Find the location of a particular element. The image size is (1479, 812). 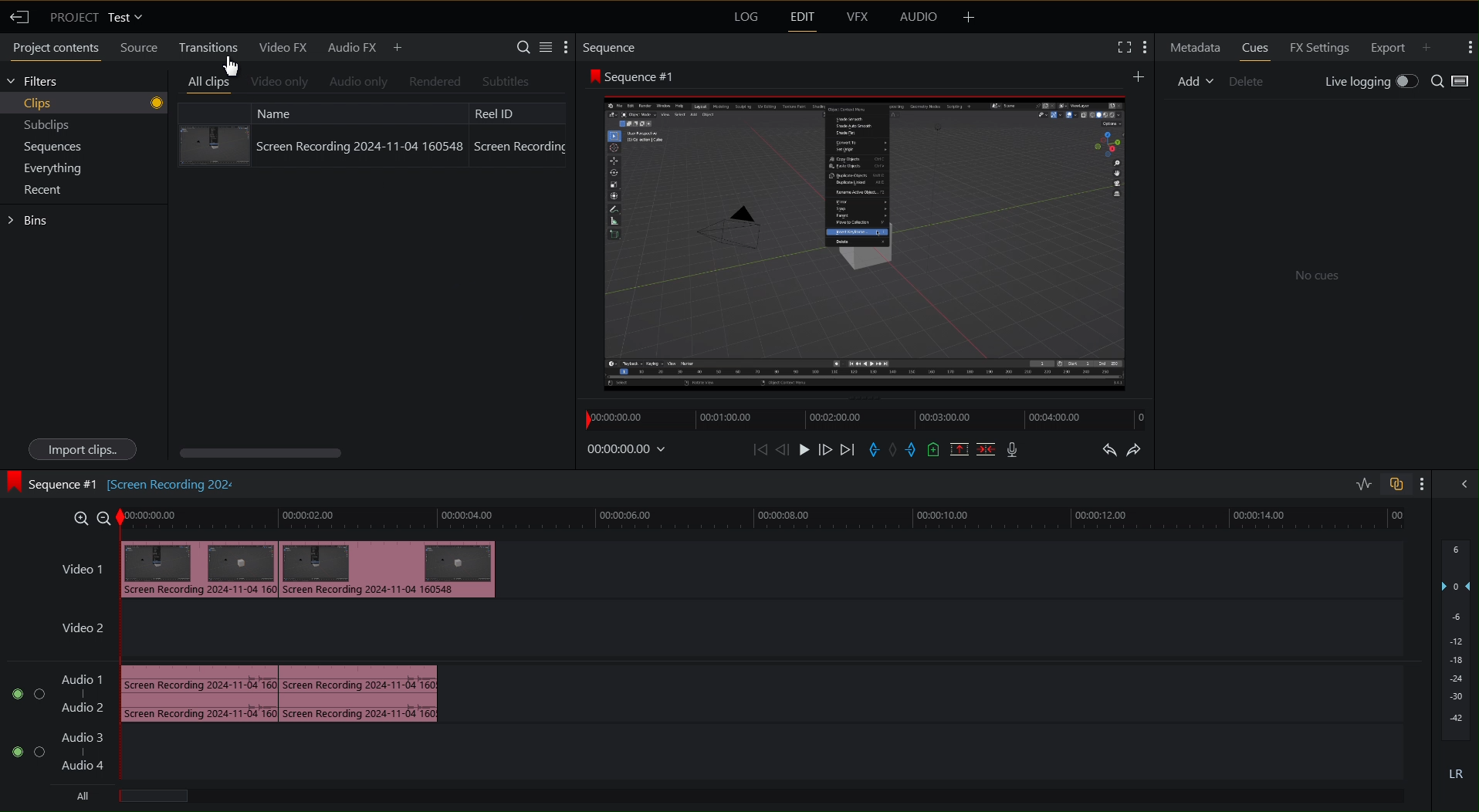

Screen Recording 2024-11-04 160548 Screen Recording is located at coordinates (415, 147).